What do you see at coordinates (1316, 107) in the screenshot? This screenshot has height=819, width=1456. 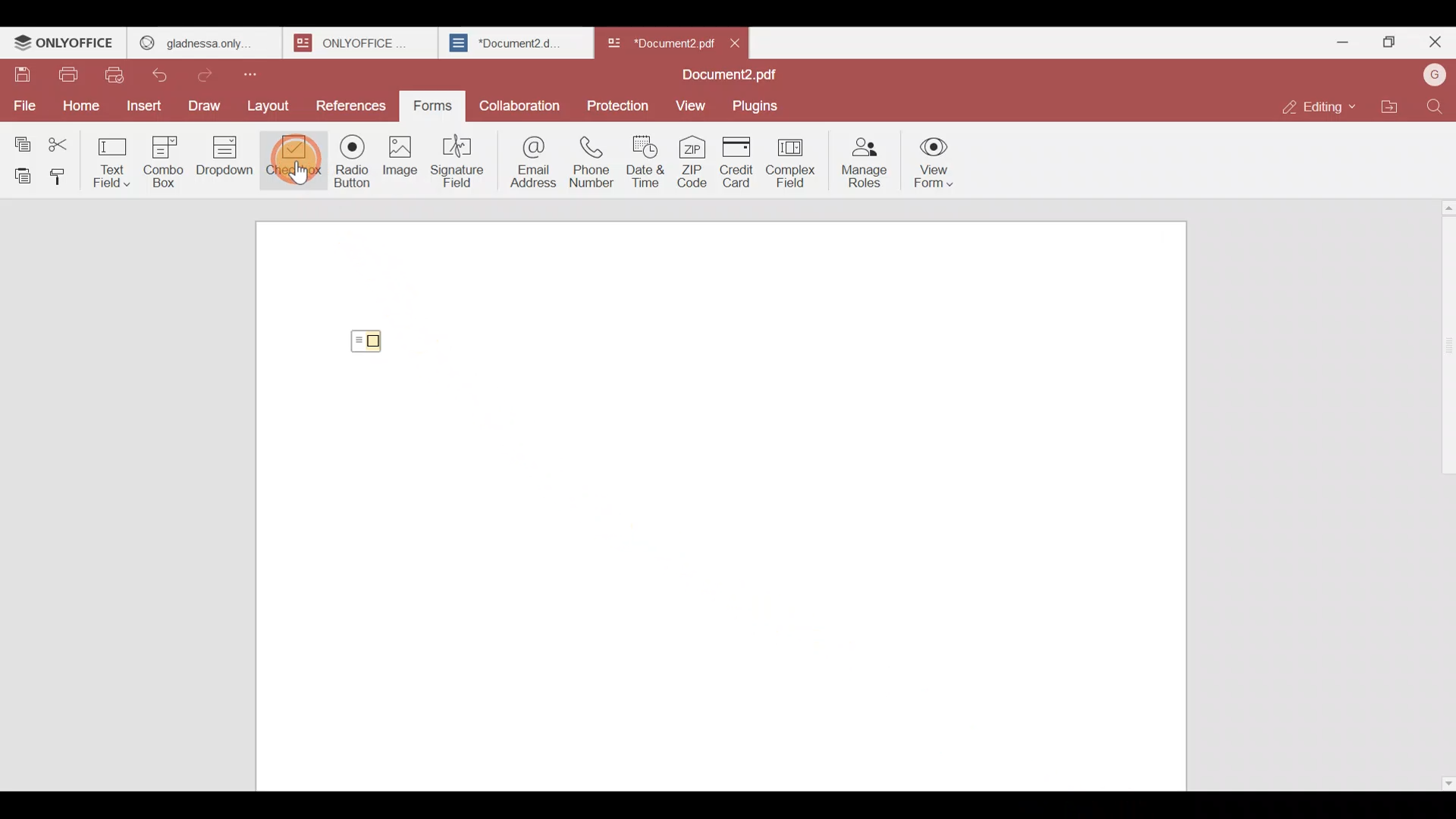 I see `Editing mode` at bounding box center [1316, 107].